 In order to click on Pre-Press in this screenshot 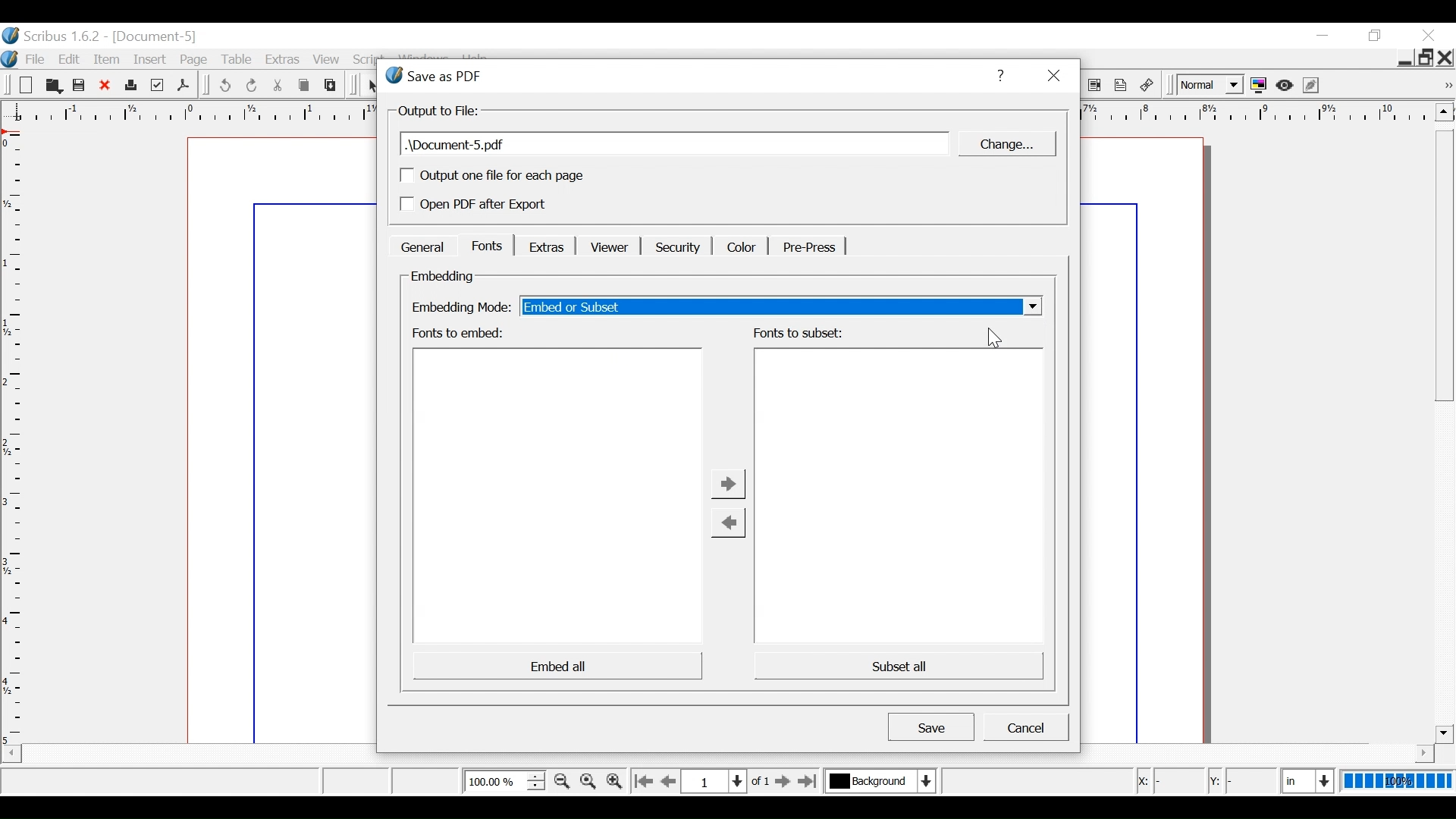, I will do `click(806, 247)`.